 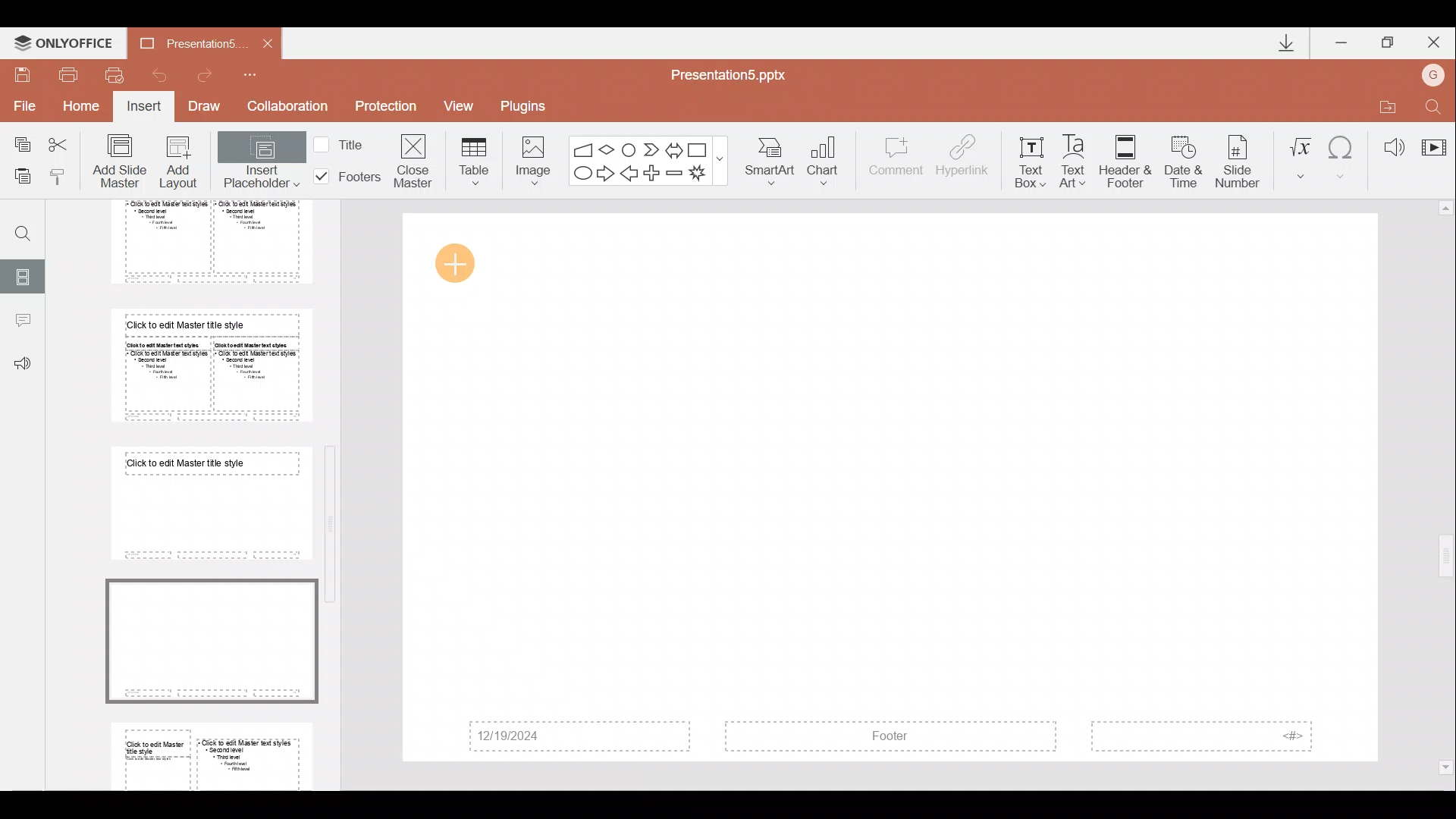 What do you see at coordinates (181, 42) in the screenshot?
I see `Document name` at bounding box center [181, 42].